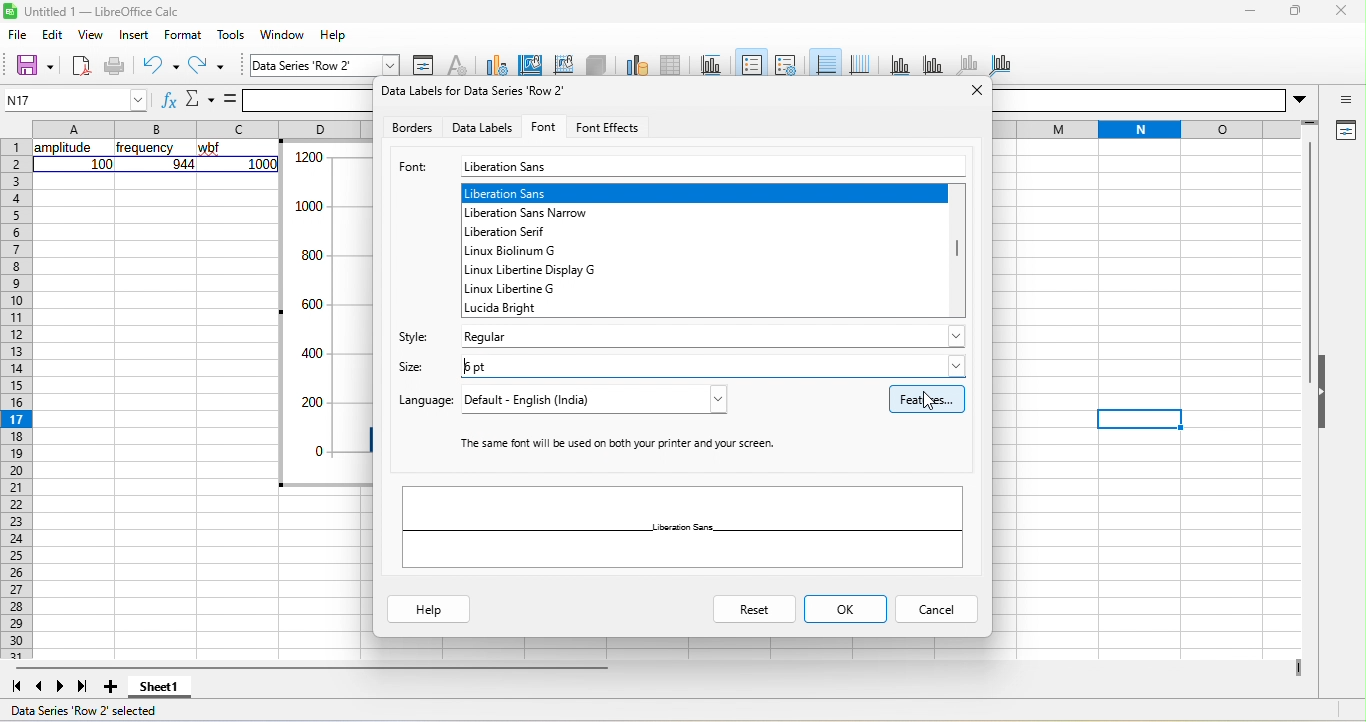  What do you see at coordinates (940, 63) in the screenshot?
I see `y axis` at bounding box center [940, 63].